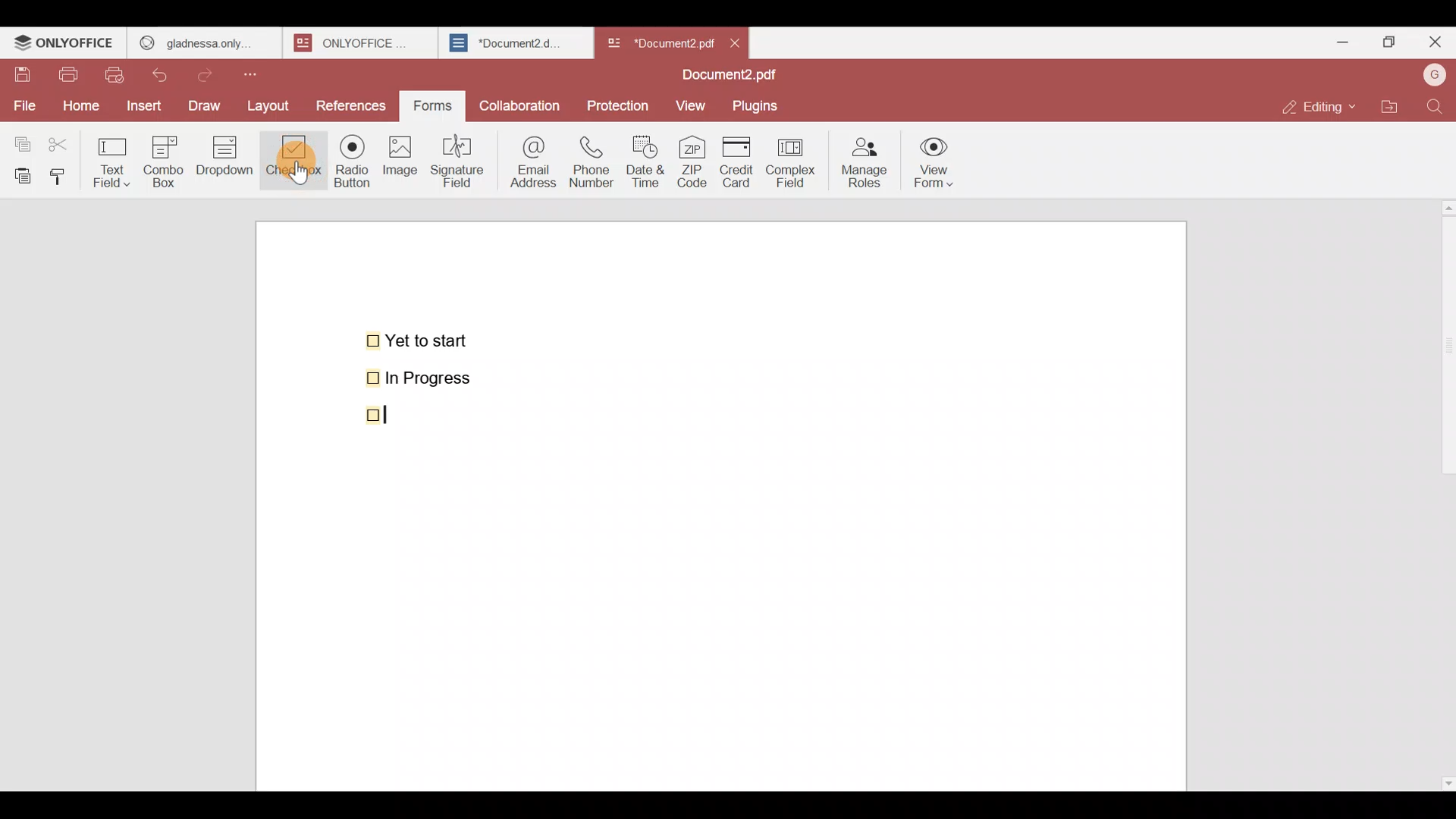 The image size is (1456, 819). I want to click on Combo box, so click(163, 159).